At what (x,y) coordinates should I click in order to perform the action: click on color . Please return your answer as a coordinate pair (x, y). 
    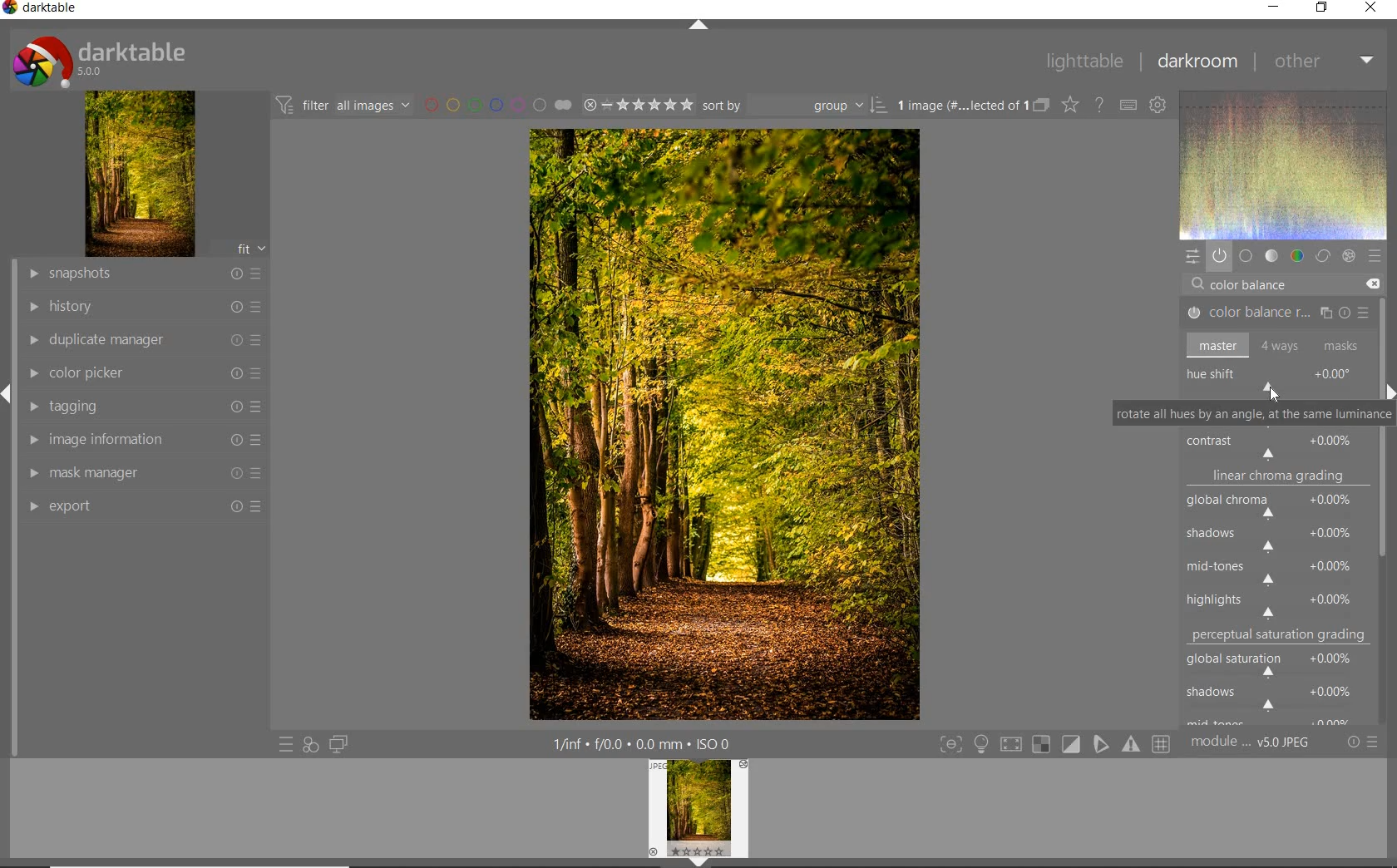
    Looking at the image, I should click on (1296, 256).